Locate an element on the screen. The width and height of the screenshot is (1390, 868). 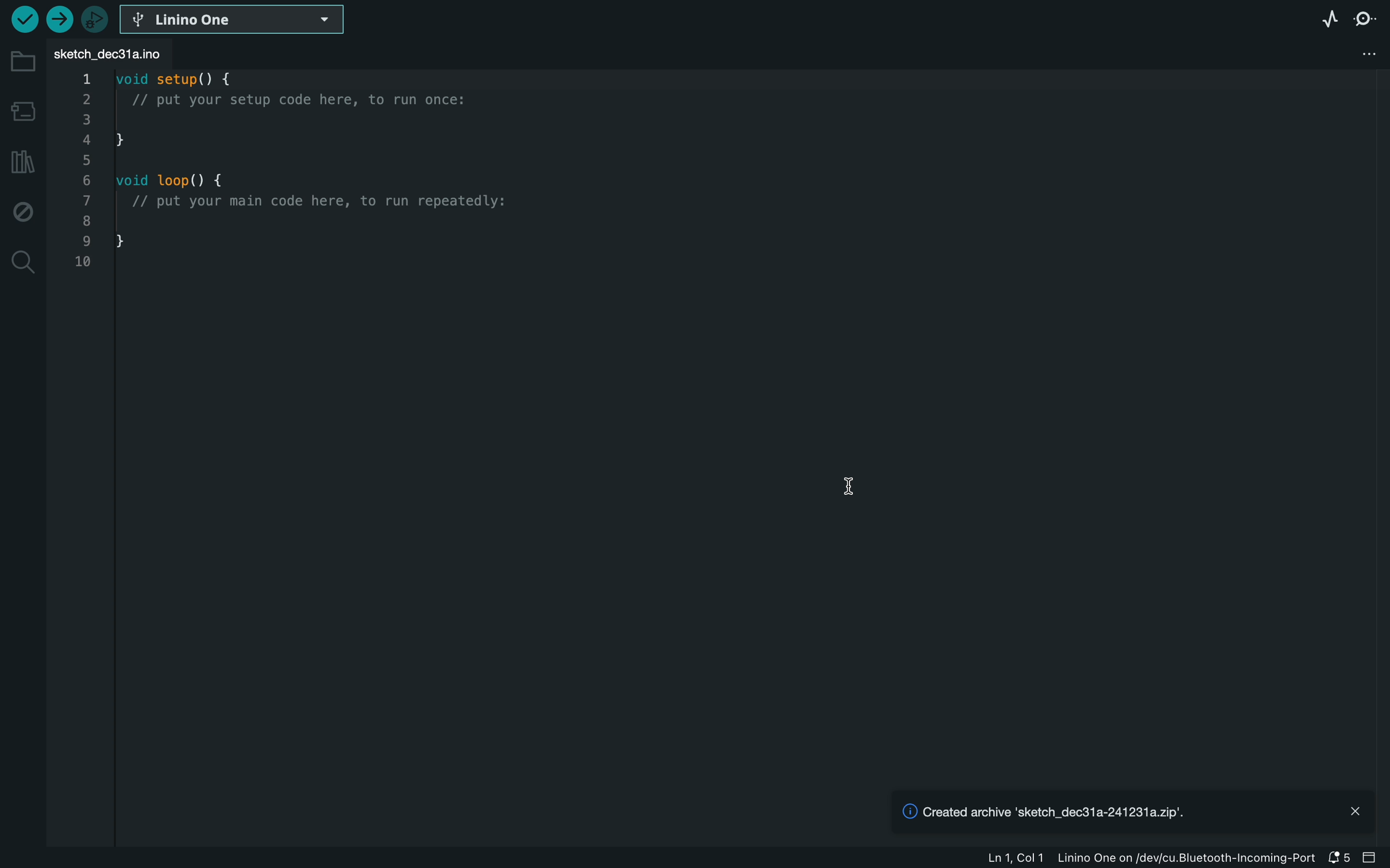
upload is located at coordinates (21, 24).